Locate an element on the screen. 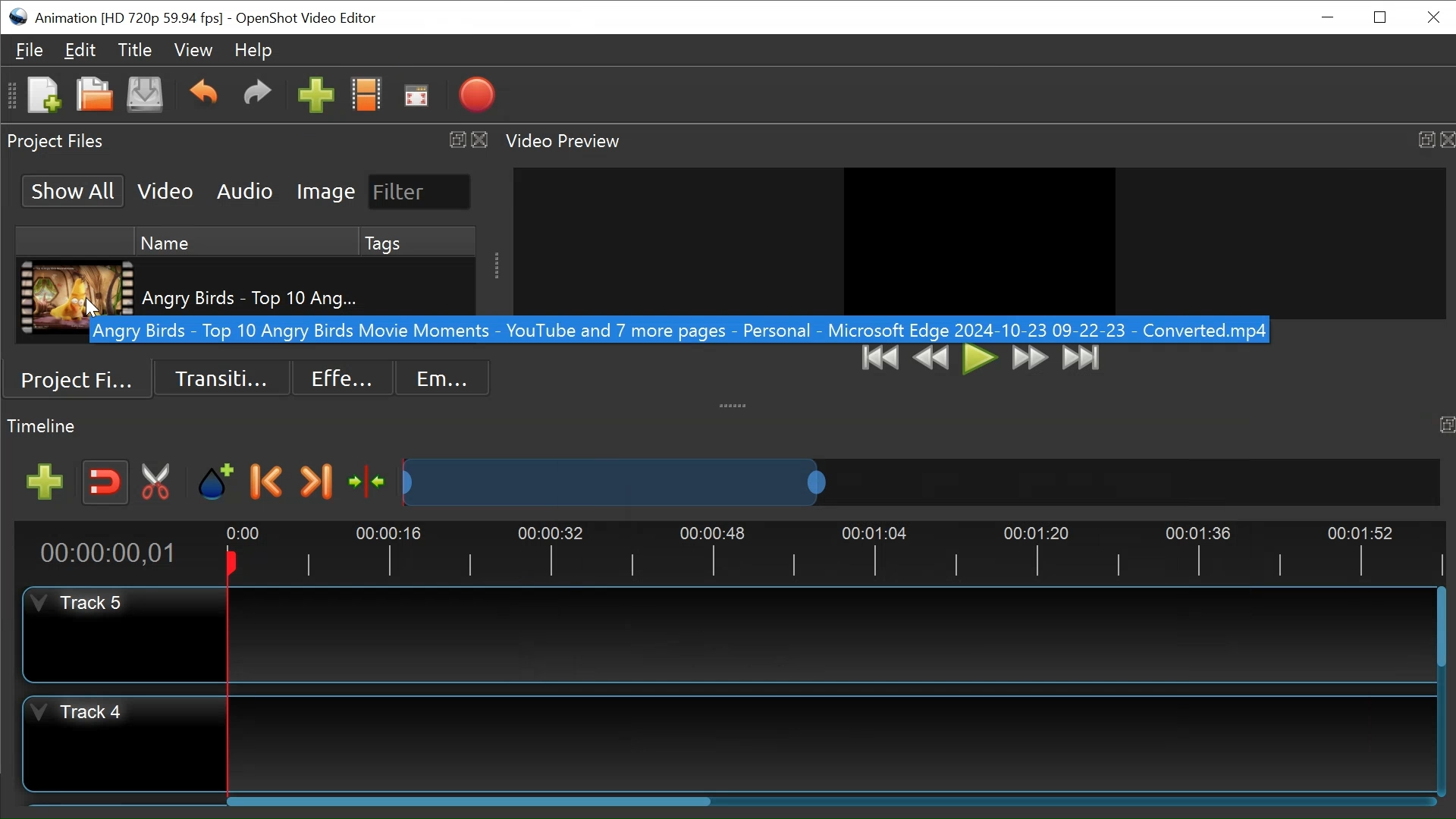 This screenshot has height=819, width=1456. Filter is located at coordinates (420, 192).